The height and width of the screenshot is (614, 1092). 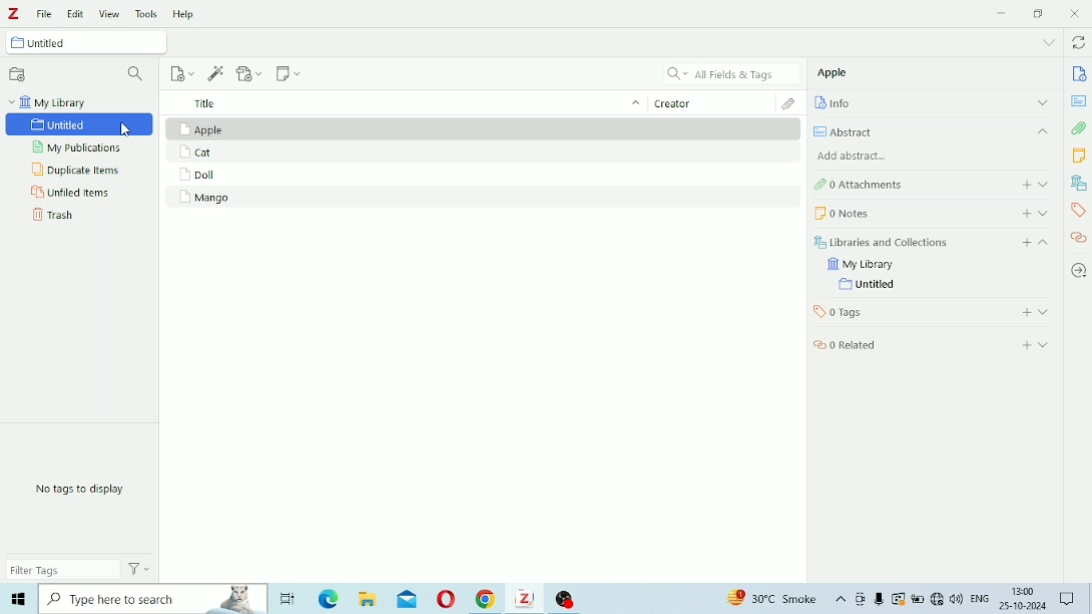 What do you see at coordinates (878, 599) in the screenshot?
I see `` at bounding box center [878, 599].